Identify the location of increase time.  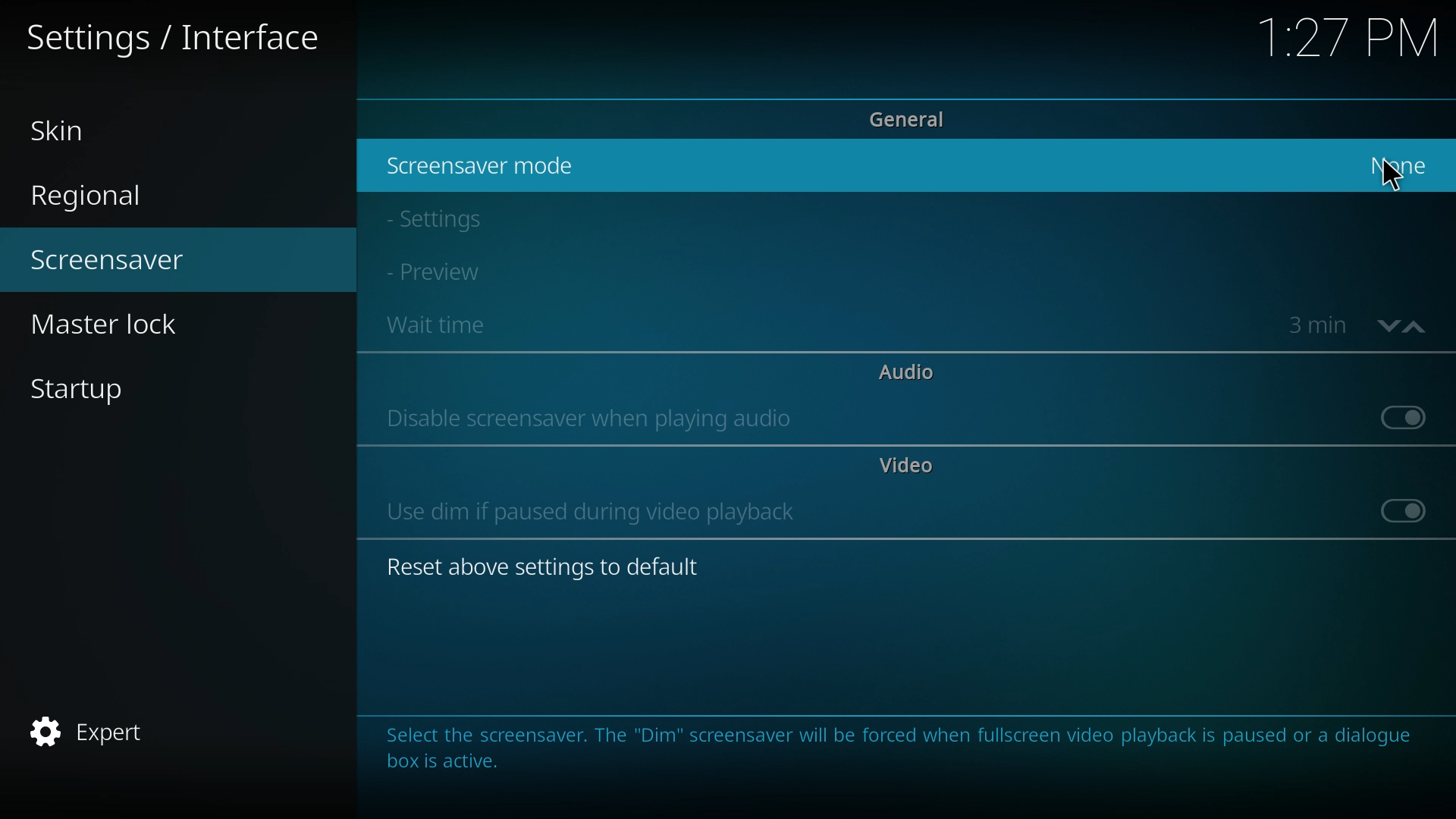
(1417, 329).